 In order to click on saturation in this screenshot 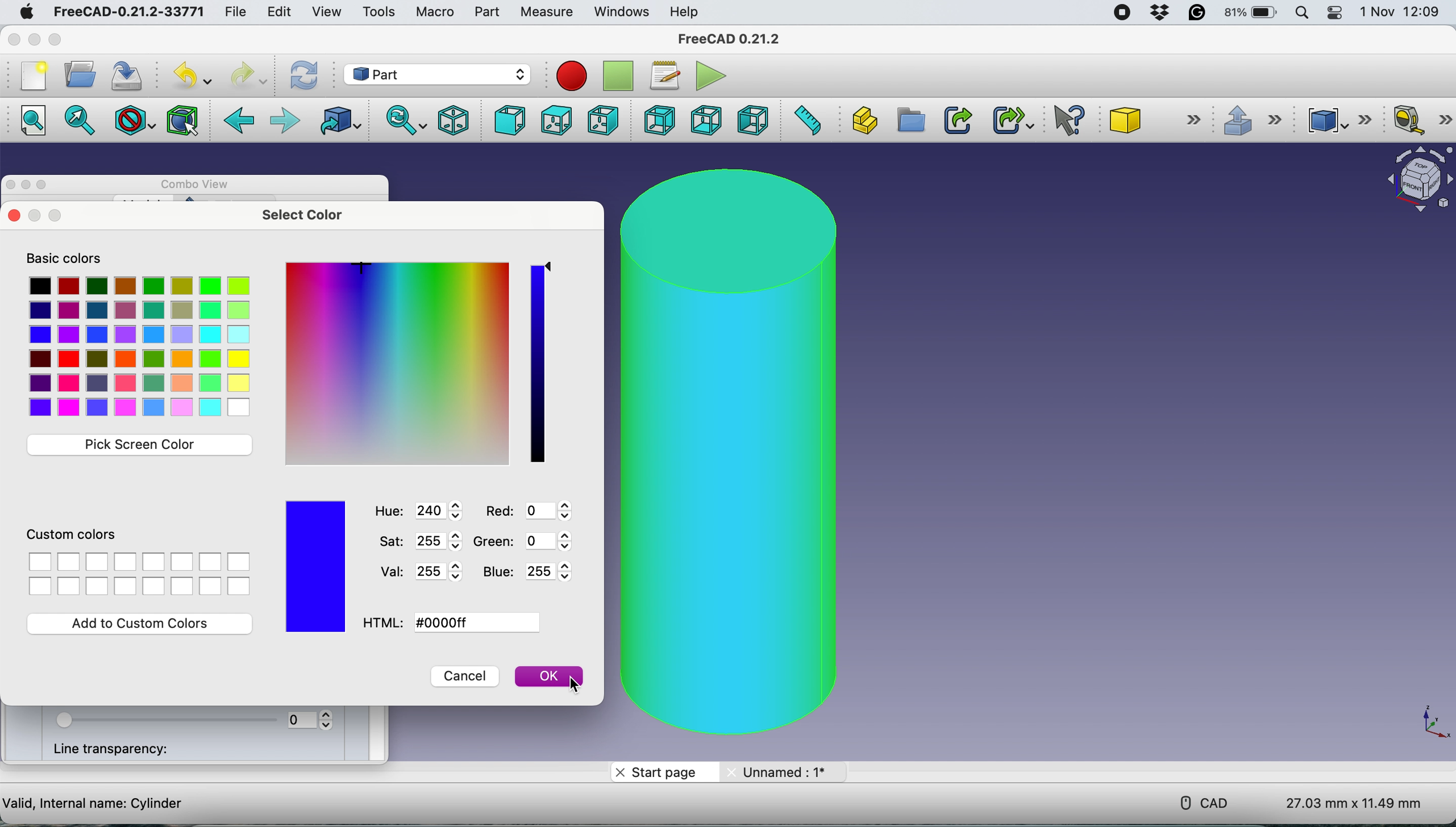, I will do `click(422, 541)`.